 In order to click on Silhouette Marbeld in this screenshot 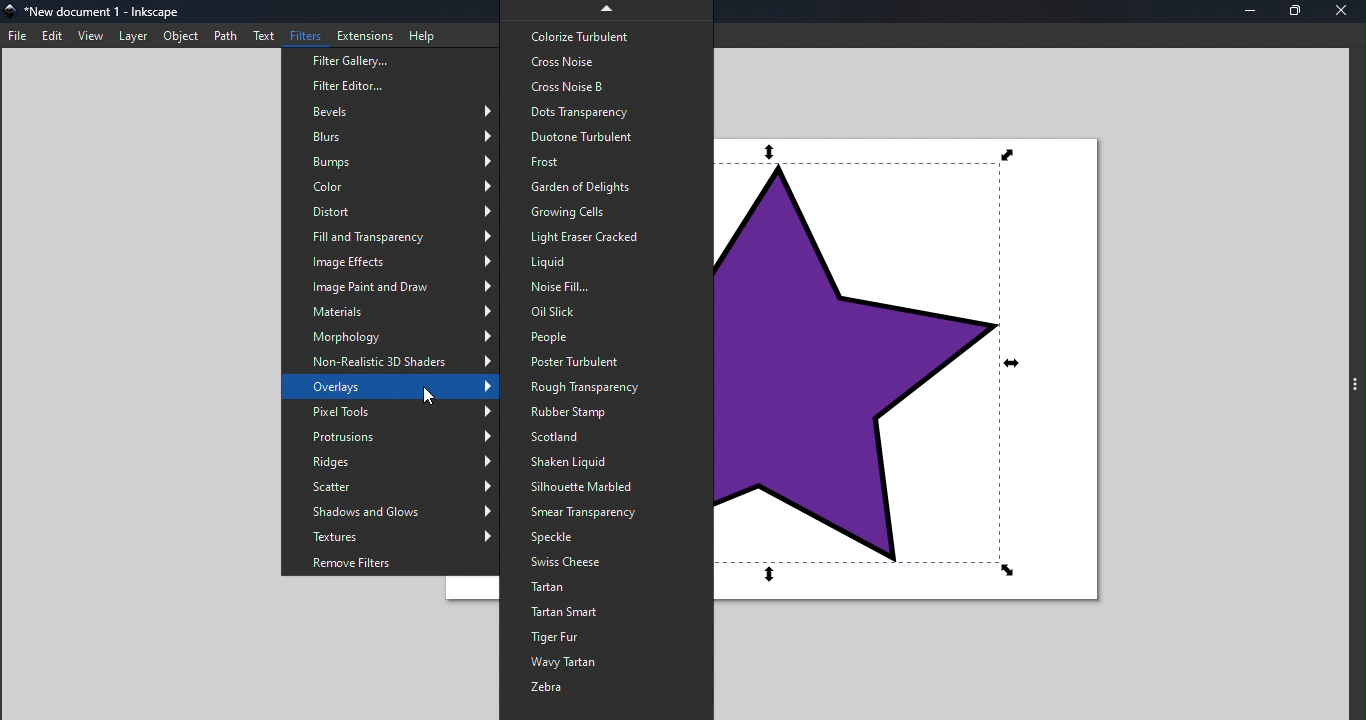, I will do `click(611, 485)`.